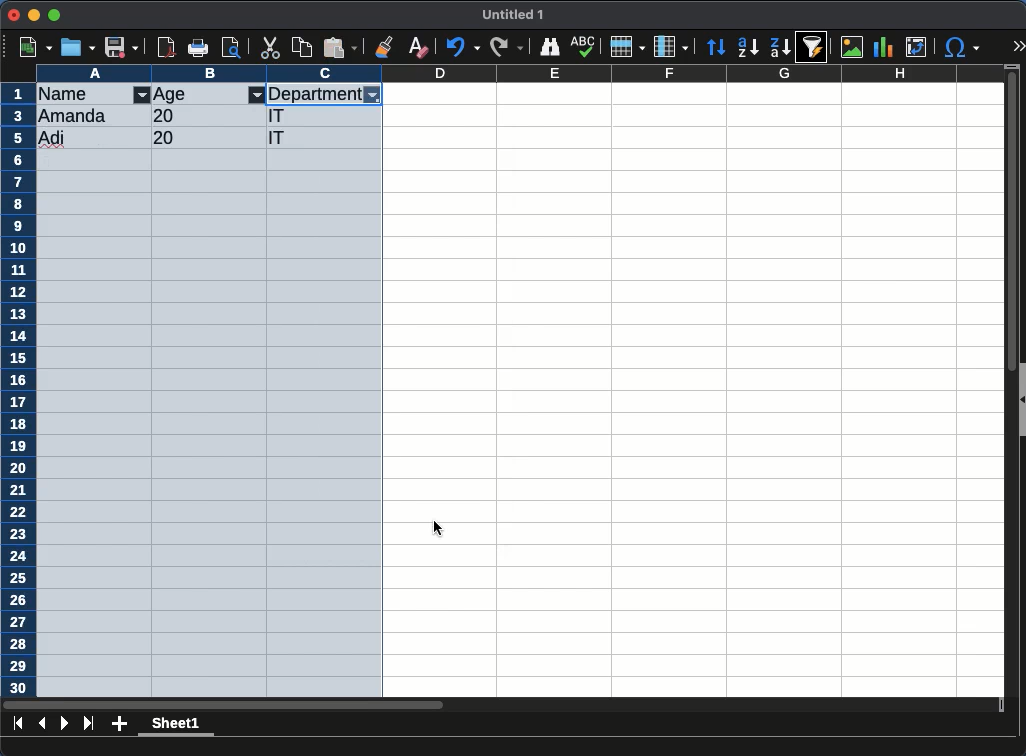 Image resolution: width=1026 pixels, height=756 pixels. Describe the element at coordinates (18, 723) in the screenshot. I see `first sheet` at that location.